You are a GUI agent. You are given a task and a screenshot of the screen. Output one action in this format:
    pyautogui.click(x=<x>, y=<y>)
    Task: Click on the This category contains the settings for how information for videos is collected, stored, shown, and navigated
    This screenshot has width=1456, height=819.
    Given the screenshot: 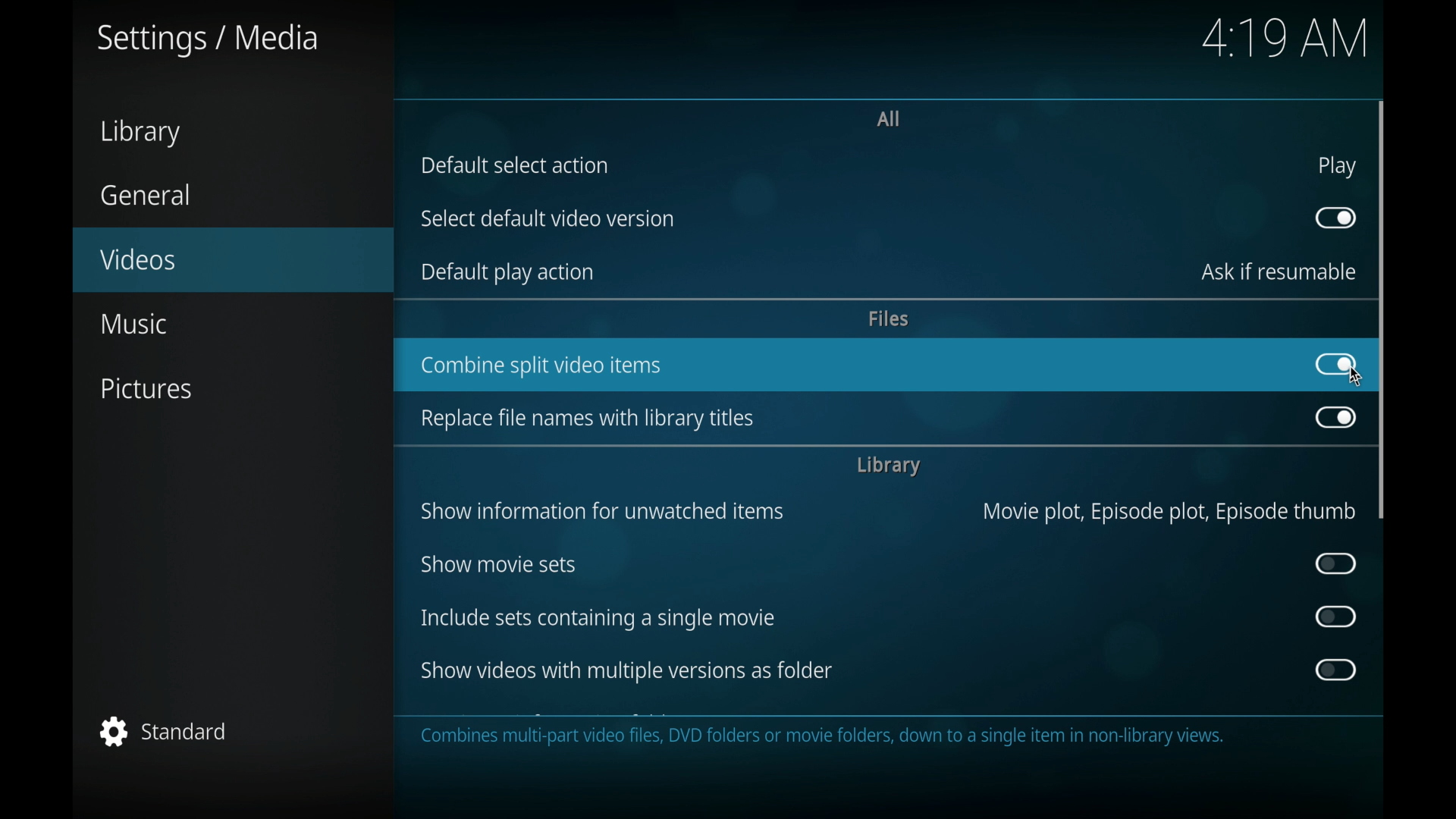 What is the action you would take?
    pyautogui.click(x=847, y=739)
    